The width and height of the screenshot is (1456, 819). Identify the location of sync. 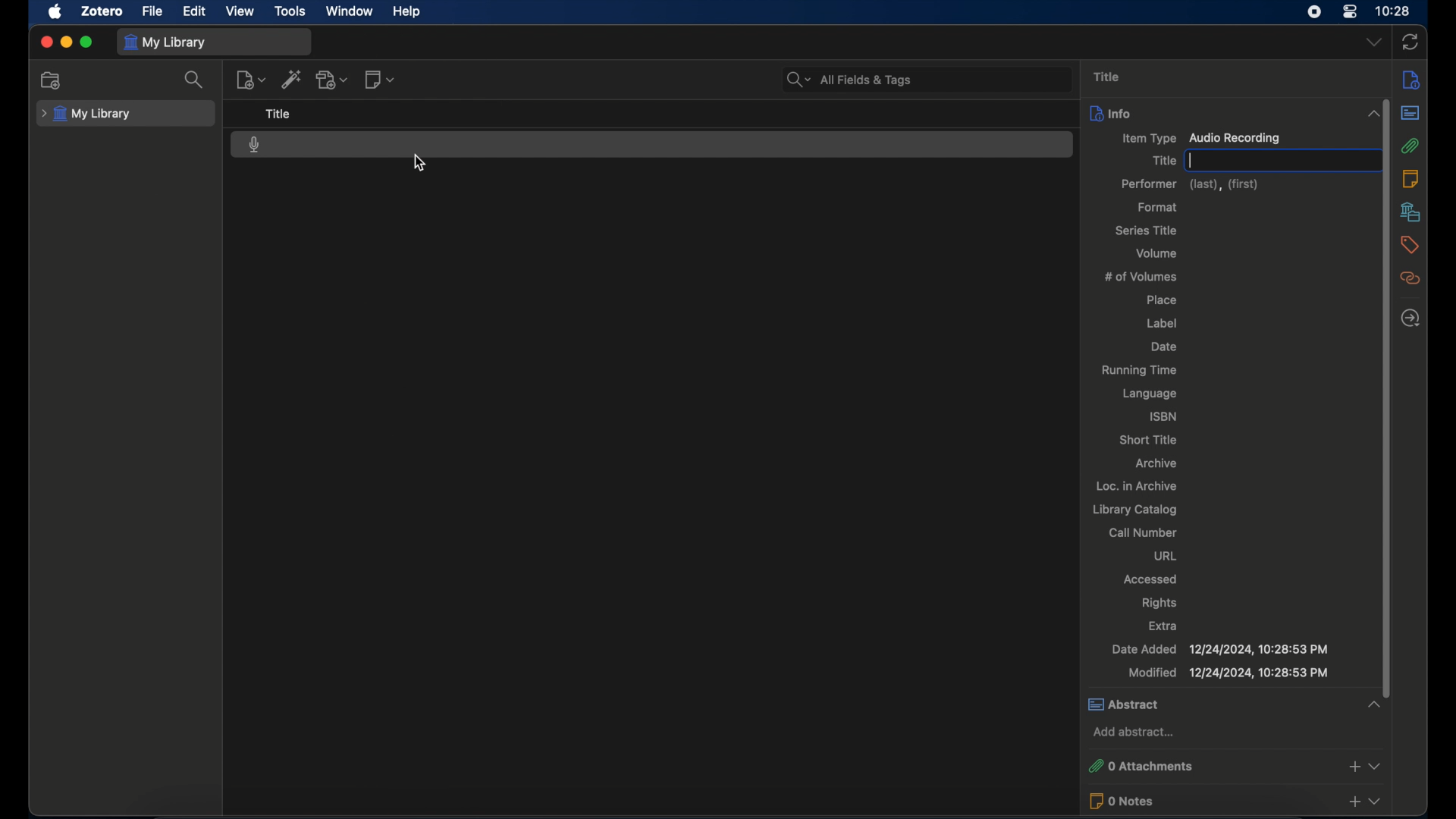
(1410, 42).